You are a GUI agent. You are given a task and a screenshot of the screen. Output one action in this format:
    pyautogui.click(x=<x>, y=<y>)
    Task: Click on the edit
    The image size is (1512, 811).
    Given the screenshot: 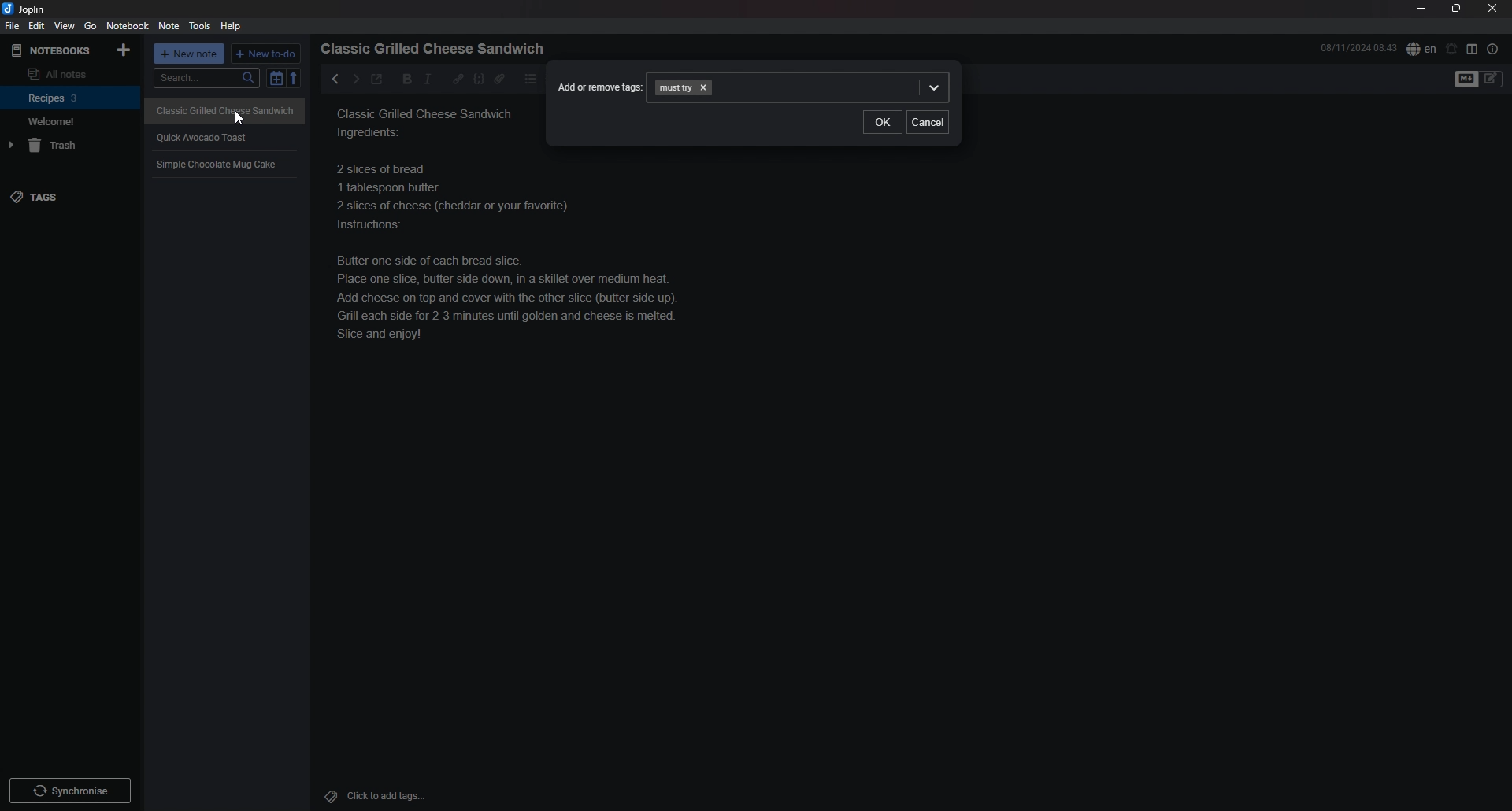 What is the action you would take?
    pyautogui.click(x=35, y=26)
    